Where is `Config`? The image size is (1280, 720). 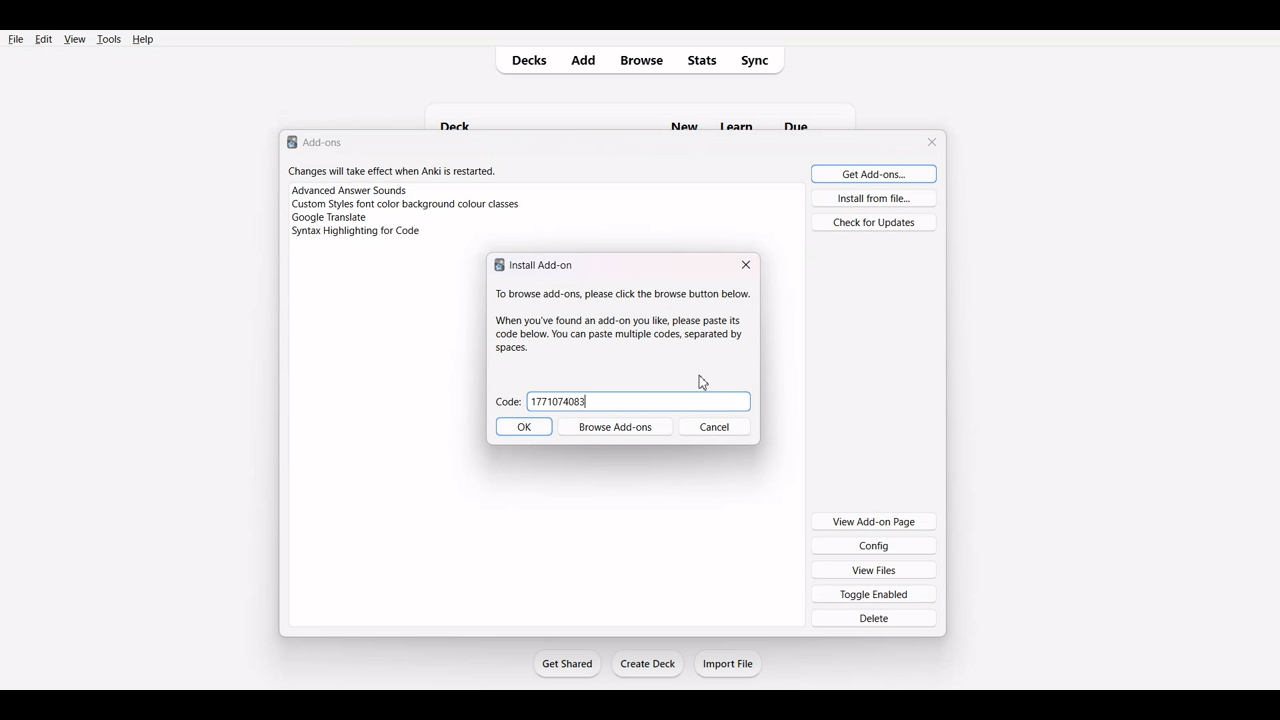
Config is located at coordinates (874, 545).